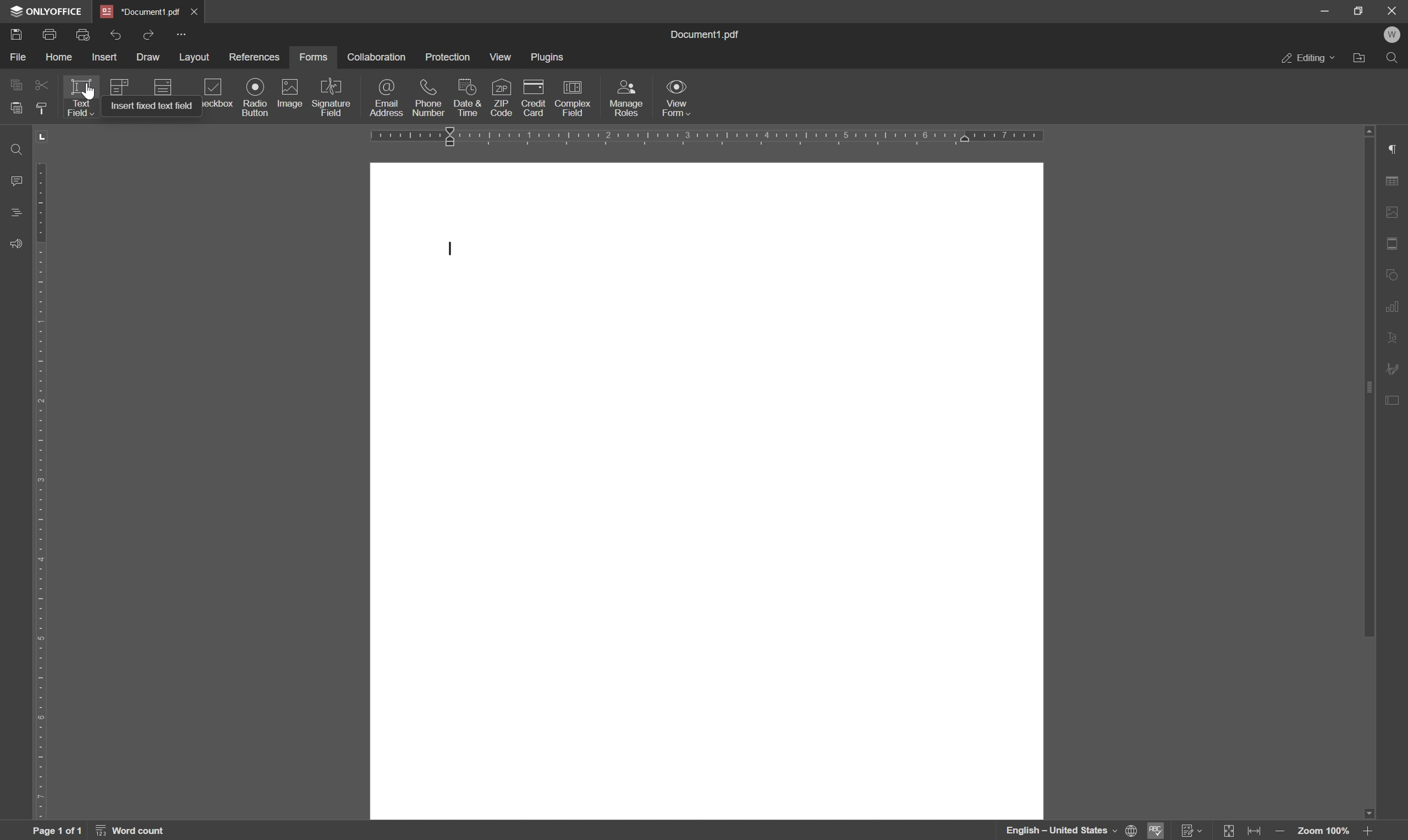 This screenshot has height=840, width=1408. I want to click on spell checking, so click(1159, 831).